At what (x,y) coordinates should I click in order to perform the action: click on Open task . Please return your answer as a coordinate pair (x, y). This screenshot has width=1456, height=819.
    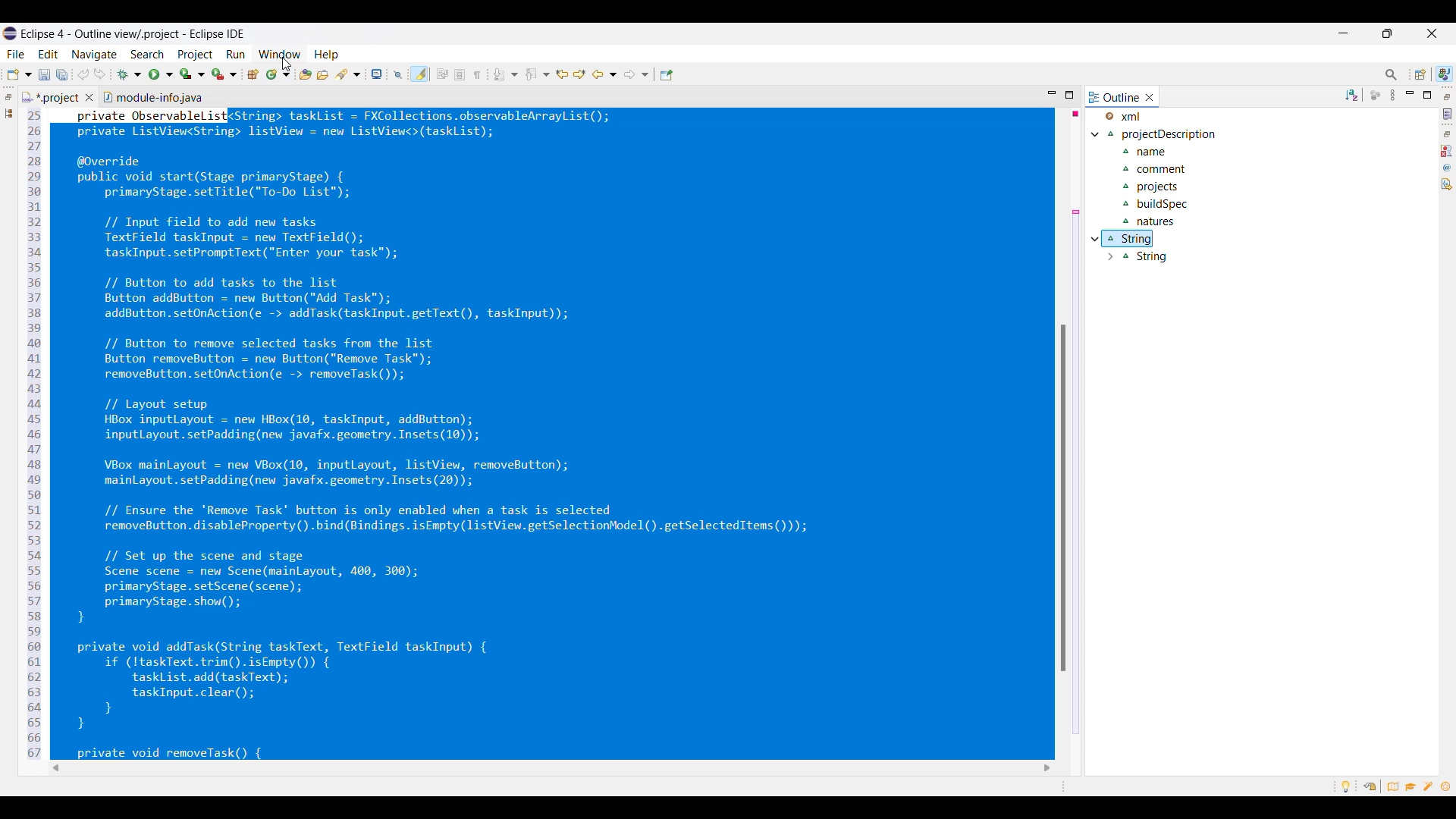
    Looking at the image, I should click on (323, 74).